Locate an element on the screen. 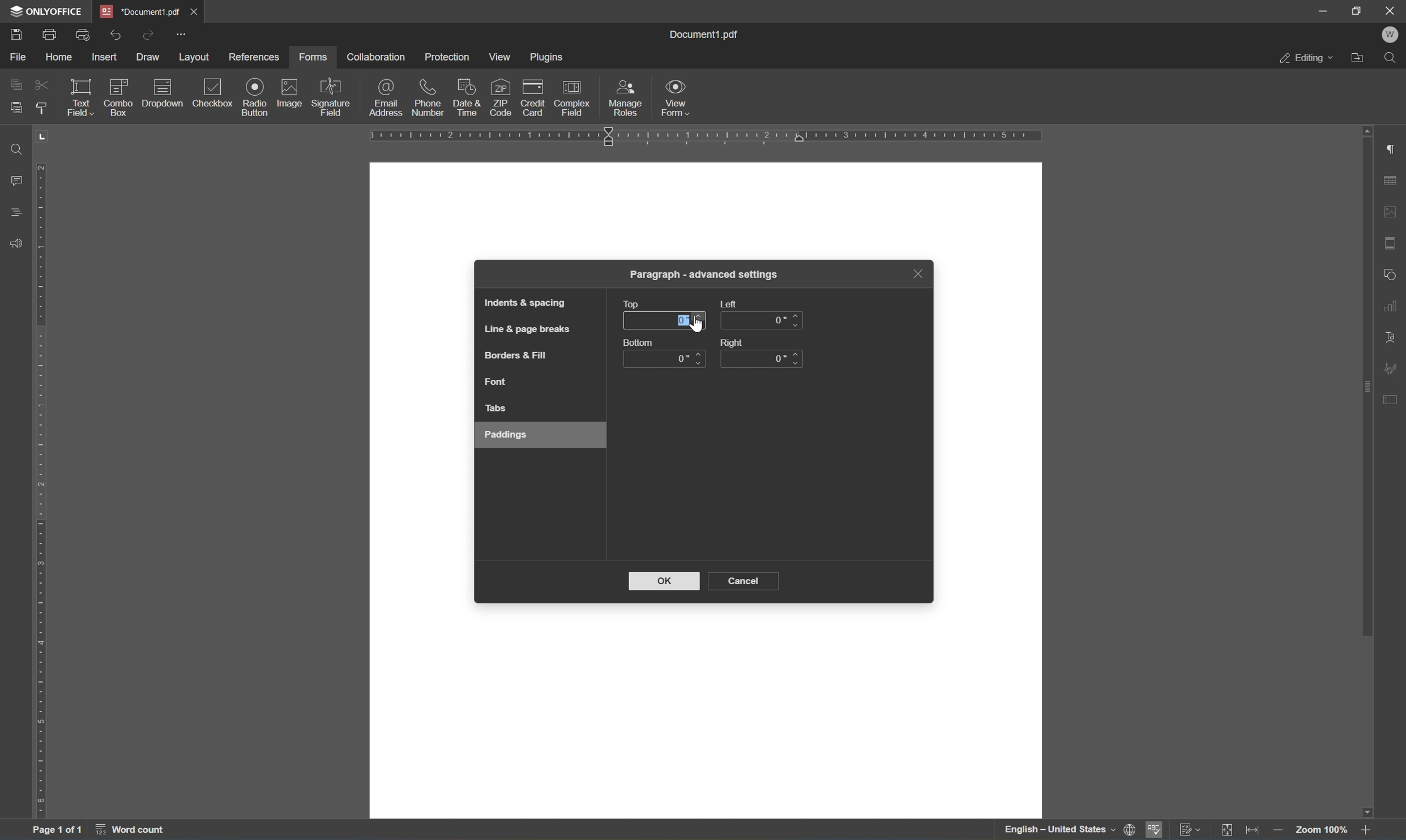  right is located at coordinates (734, 341).